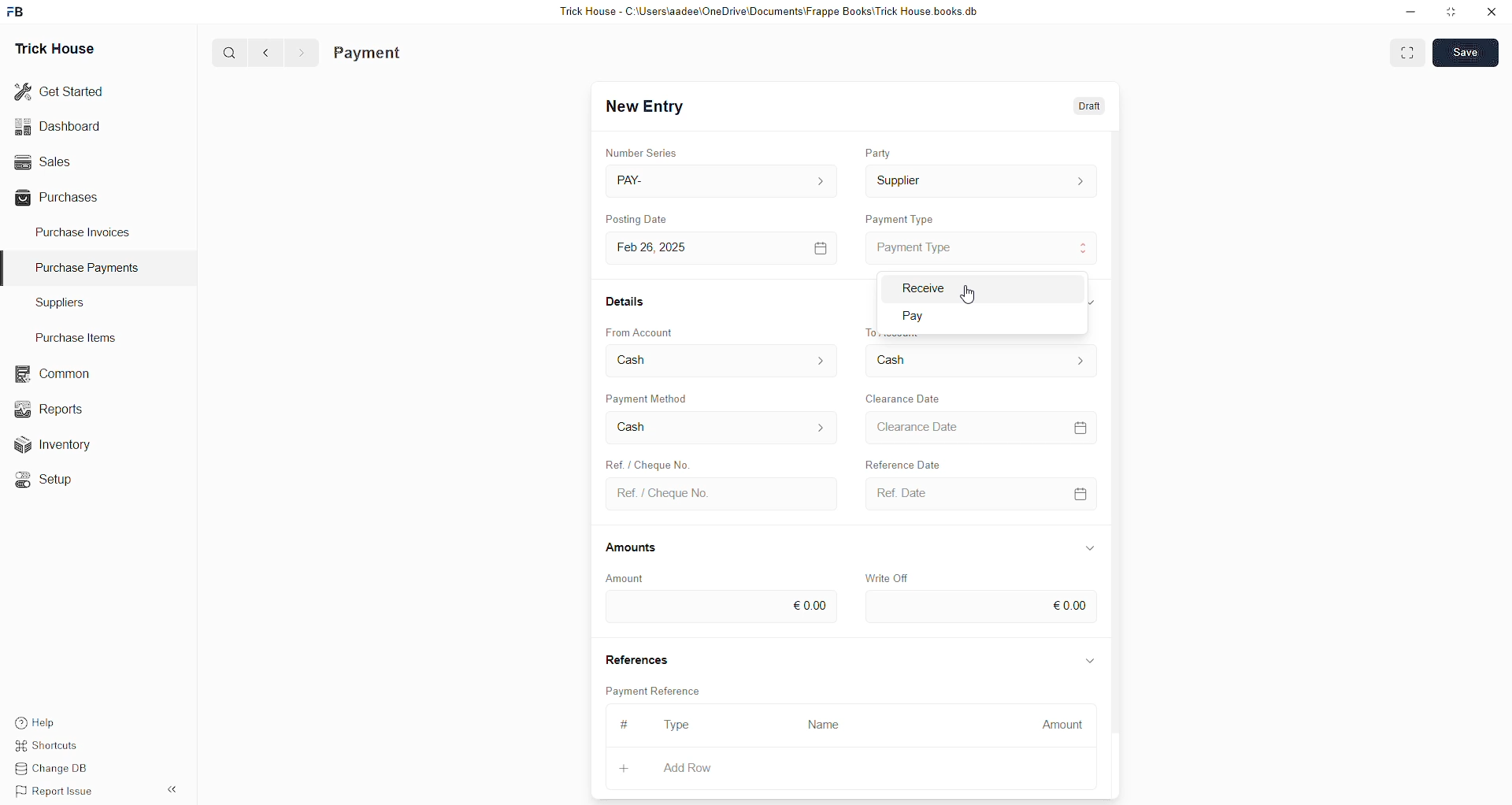 The image size is (1512, 805). Describe the element at coordinates (641, 150) in the screenshot. I see `Number Series` at that location.